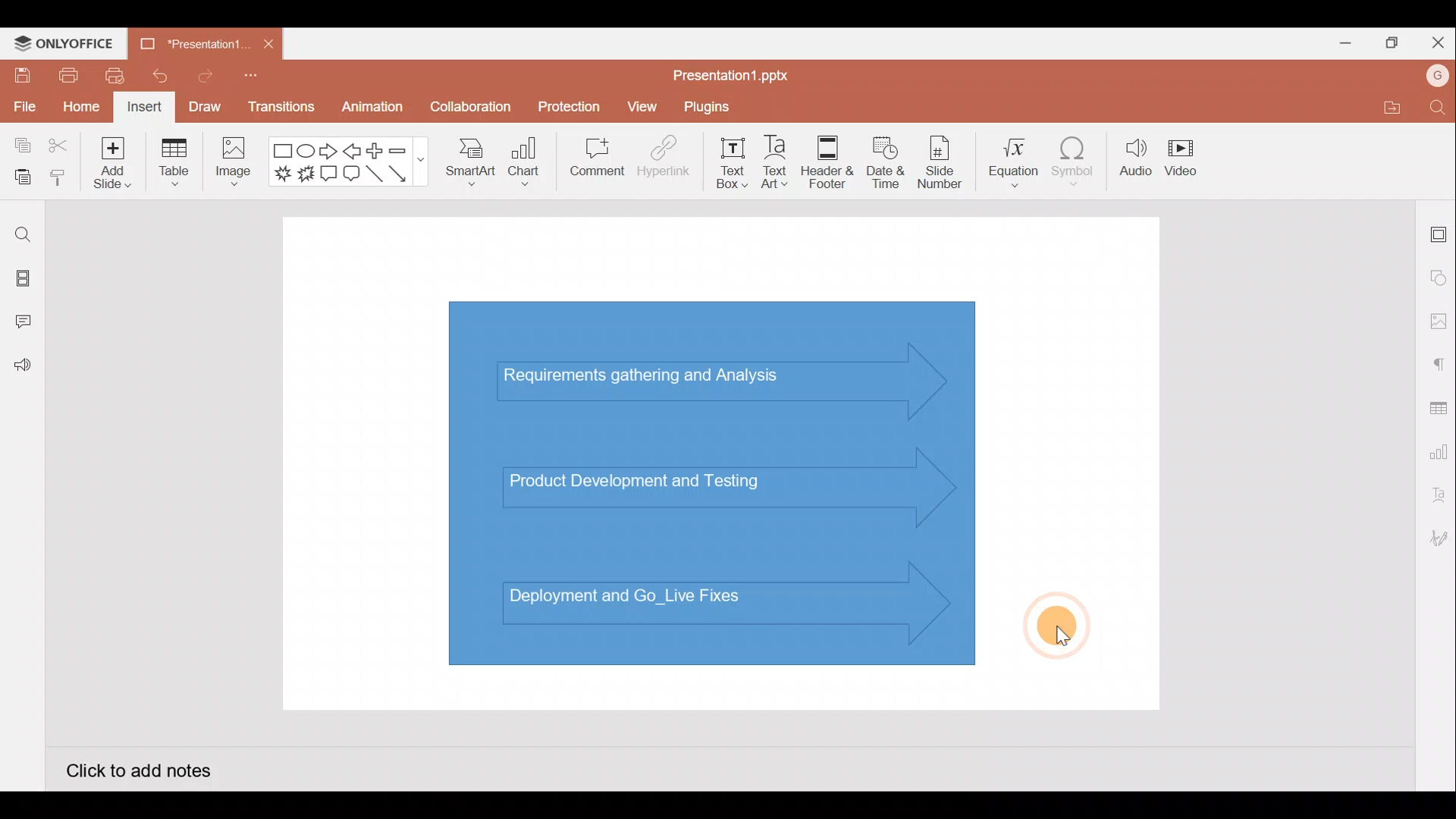 This screenshot has height=819, width=1456. What do you see at coordinates (673, 605) in the screenshot?
I see `Text (Deployment and Go_Live Fixes) on 3rd inserted arrow shape` at bounding box center [673, 605].